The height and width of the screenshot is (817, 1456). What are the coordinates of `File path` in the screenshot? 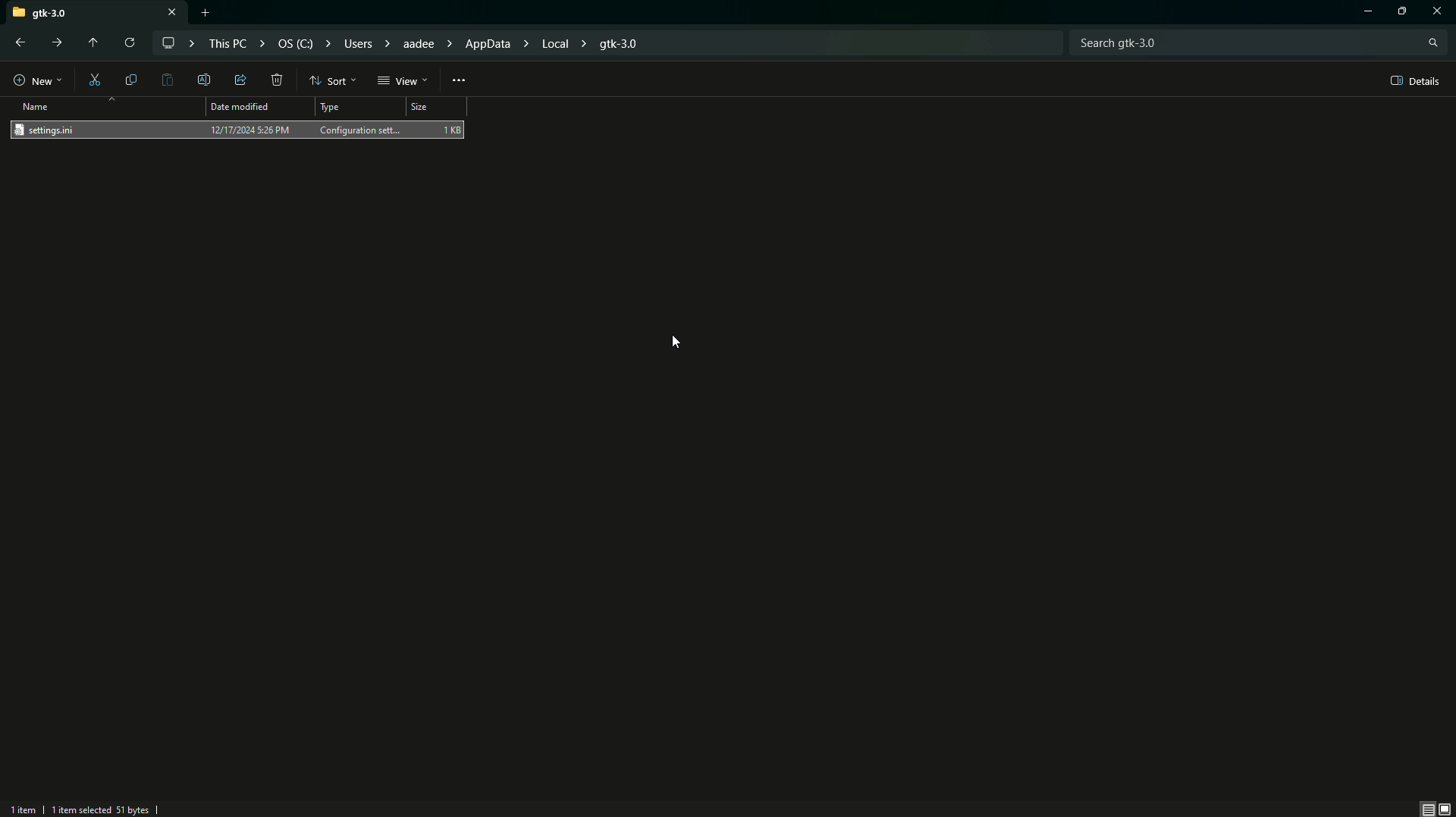 It's located at (409, 43).